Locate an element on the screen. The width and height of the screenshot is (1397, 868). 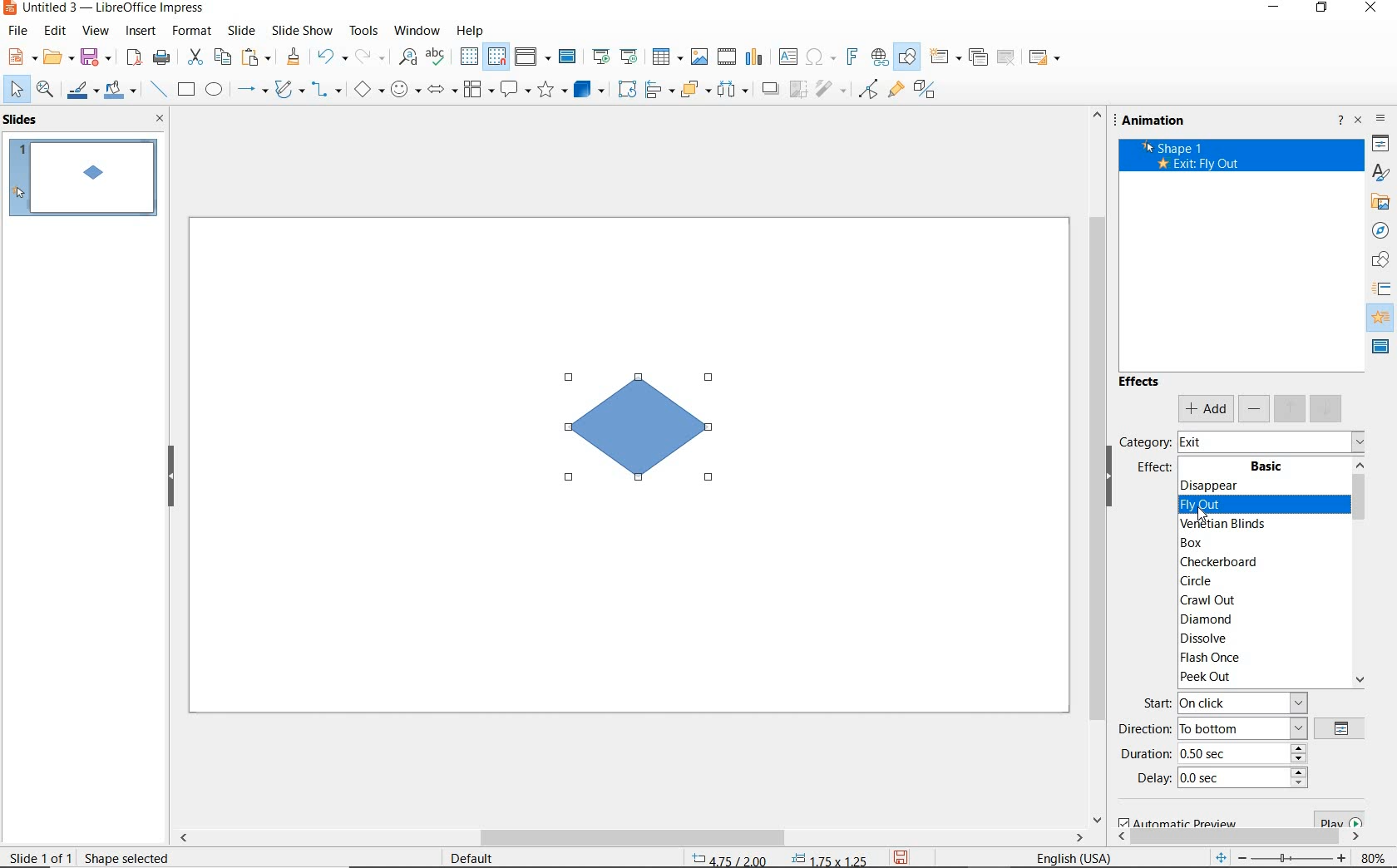
display grid is located at coordinates (469, 57).